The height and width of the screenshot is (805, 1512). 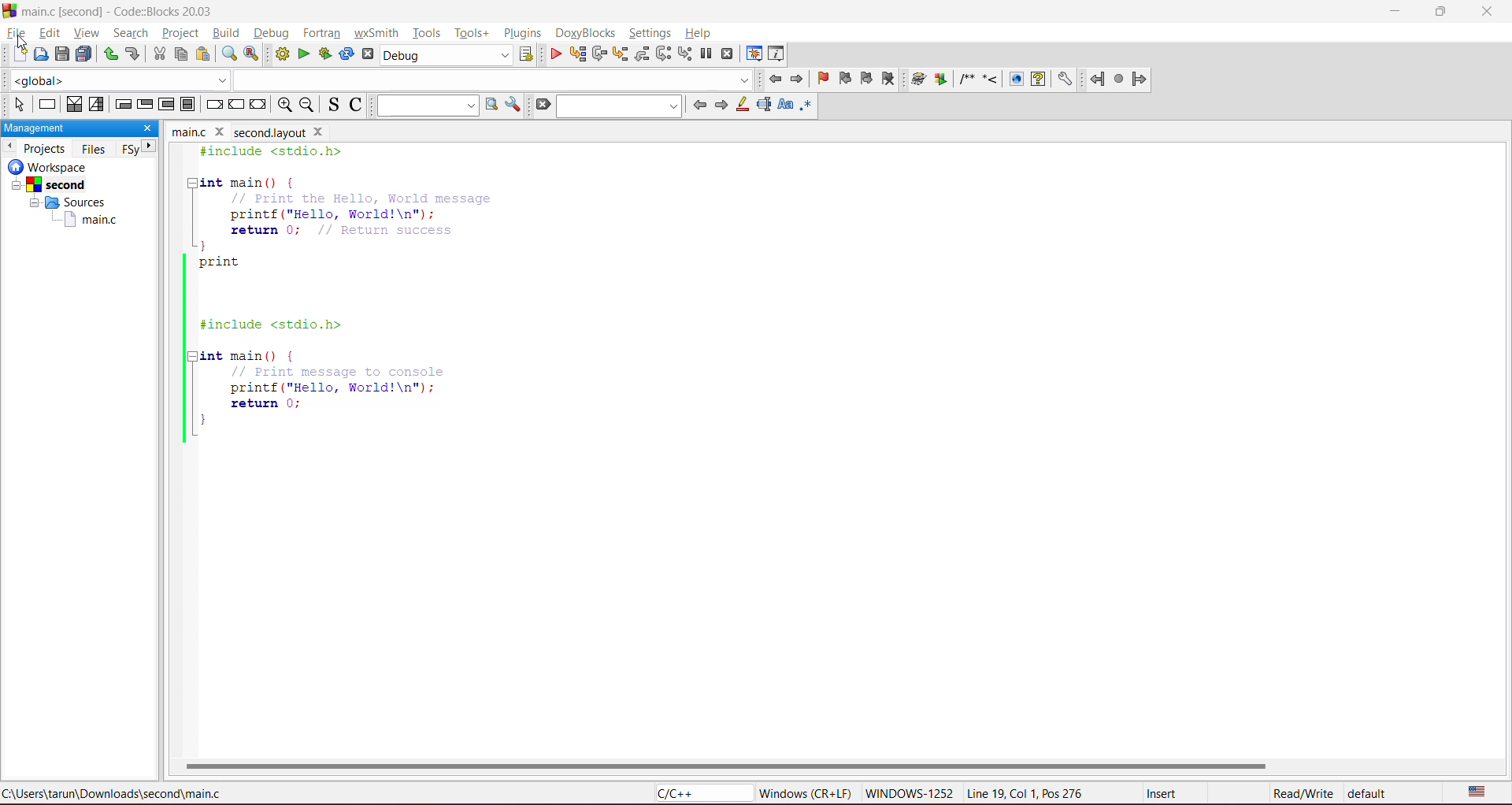 I want to click on text to search, so click(x=428, y=106).